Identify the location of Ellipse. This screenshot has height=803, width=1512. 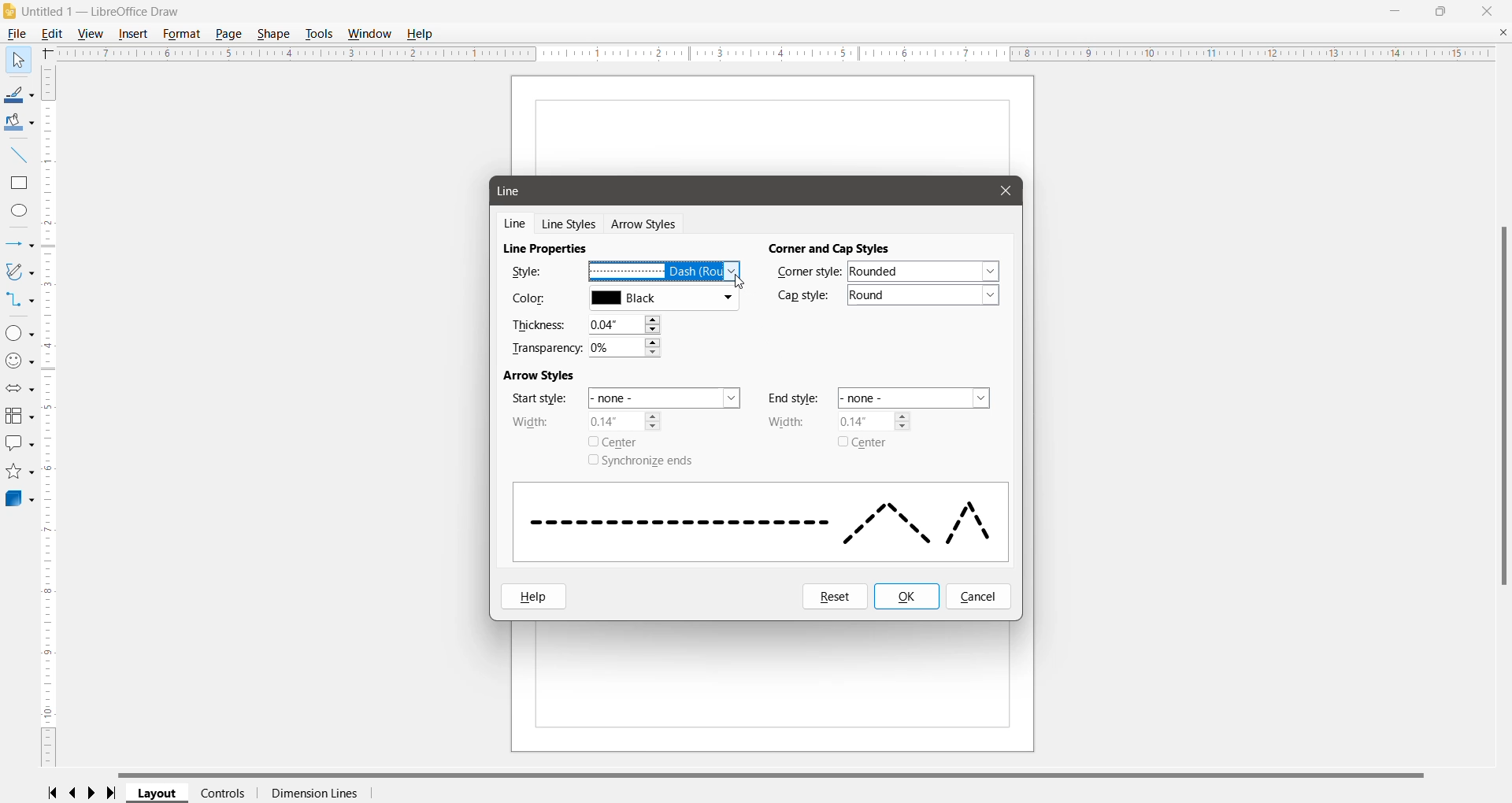
(19, 210).